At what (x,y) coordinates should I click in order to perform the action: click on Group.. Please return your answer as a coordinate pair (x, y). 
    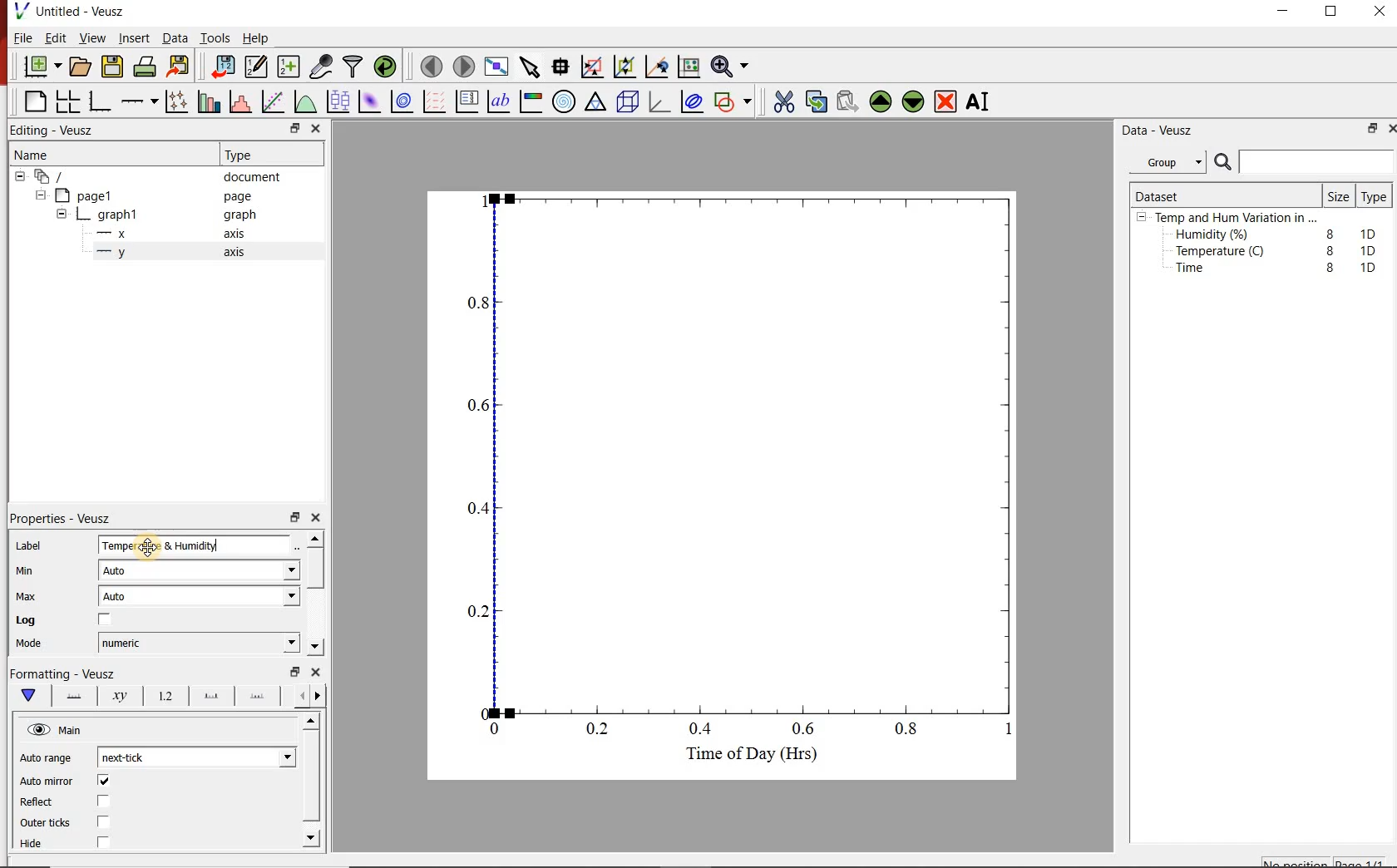
    Looking at the image, I should click on (1171, 159).